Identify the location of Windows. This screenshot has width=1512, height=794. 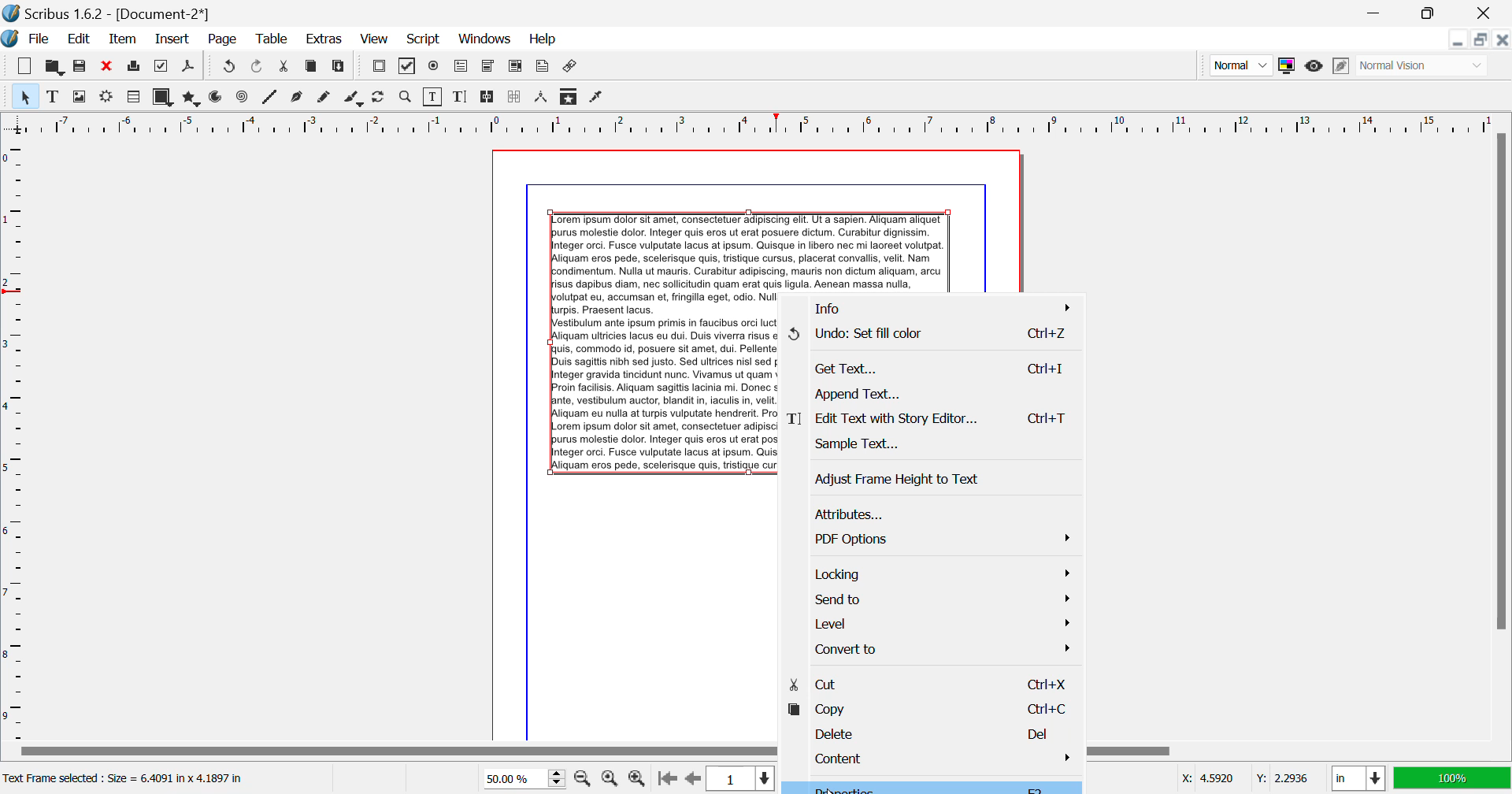
(485, 39).